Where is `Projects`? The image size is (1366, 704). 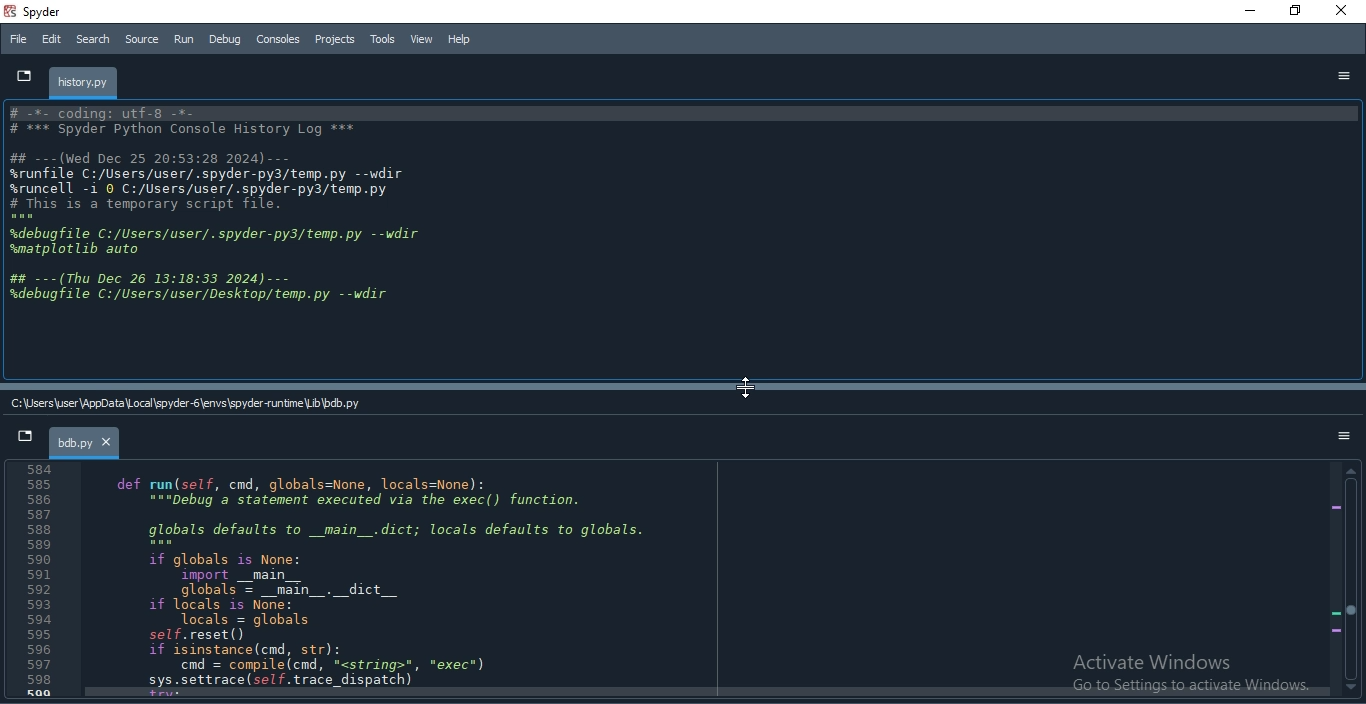
Projects is located at coordinates (337, 40).